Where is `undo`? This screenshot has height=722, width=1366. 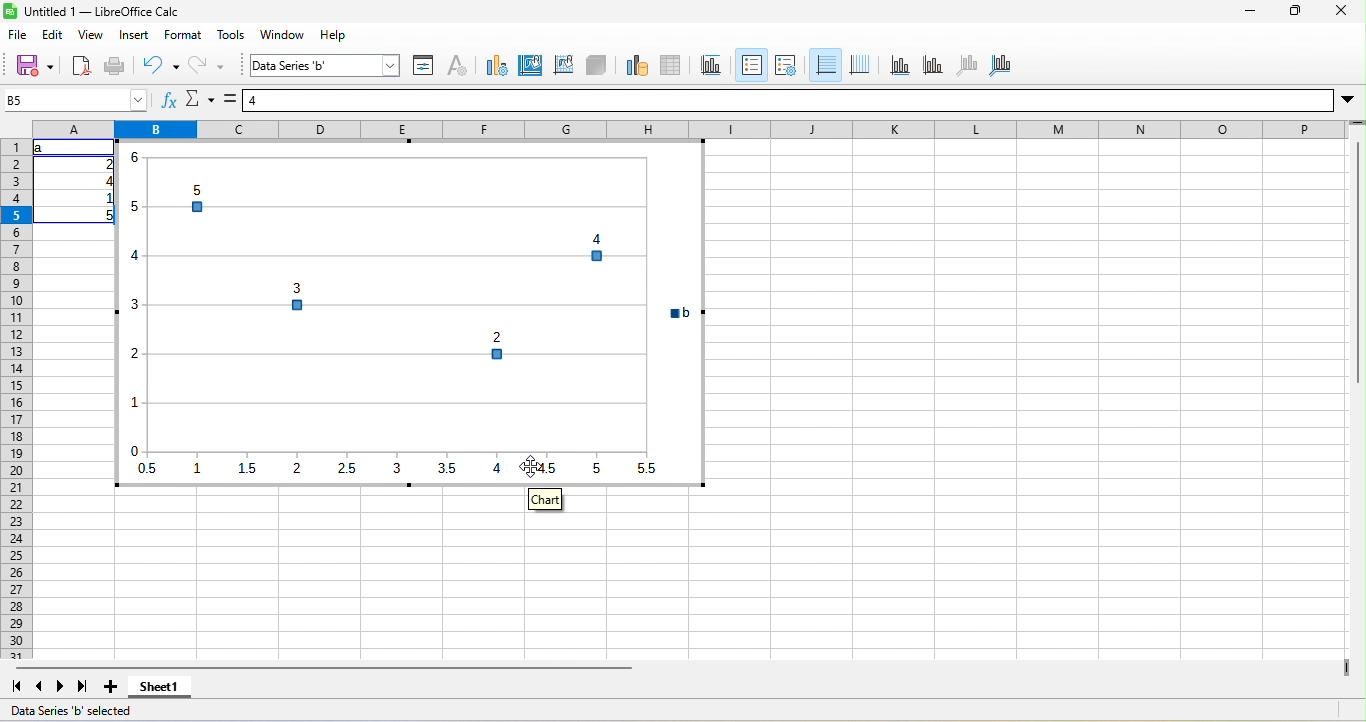
undo is located at coordinates (159, 66).